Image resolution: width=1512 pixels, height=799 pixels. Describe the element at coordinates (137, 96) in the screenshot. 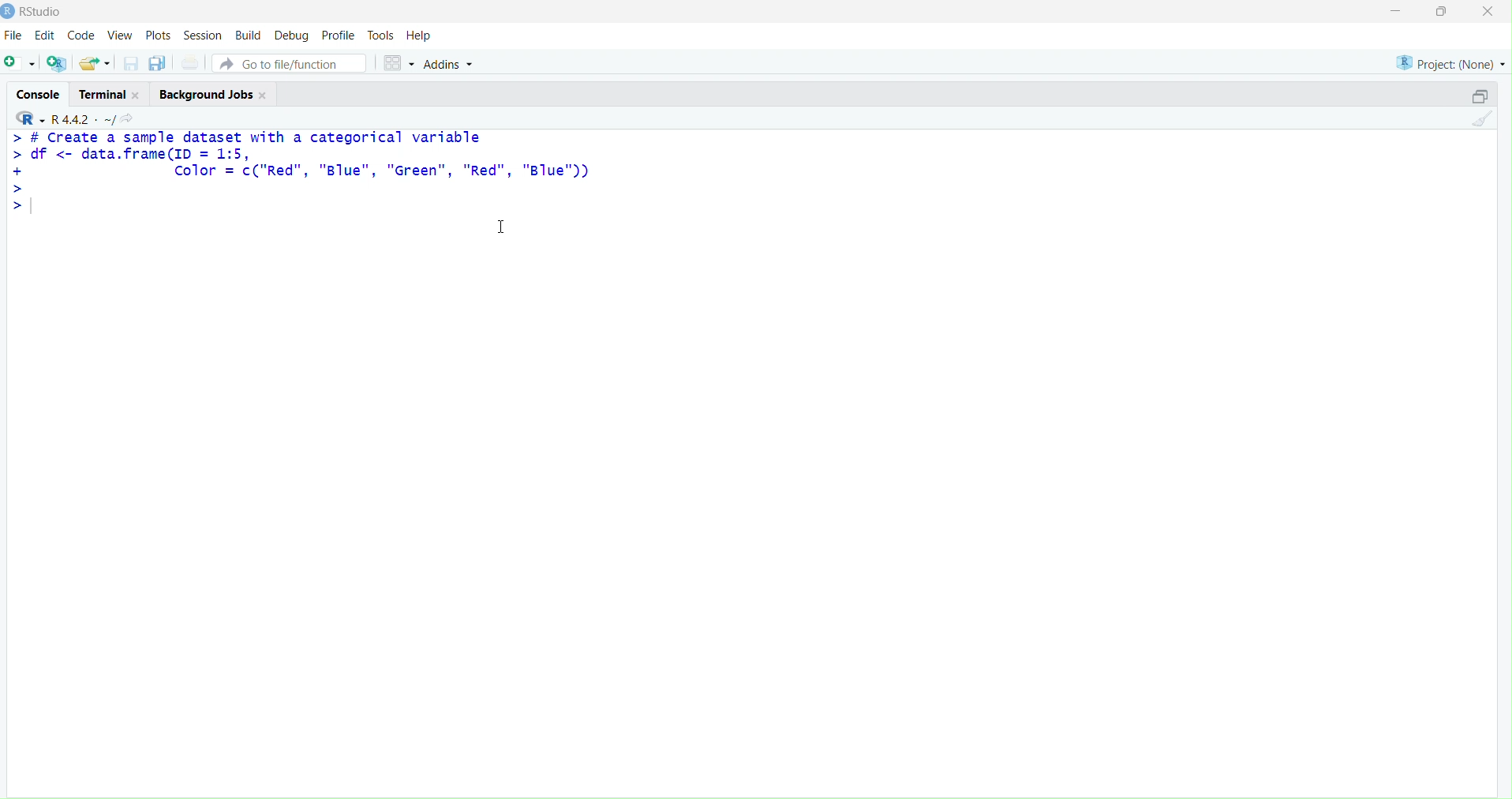

I see `close` at that location.